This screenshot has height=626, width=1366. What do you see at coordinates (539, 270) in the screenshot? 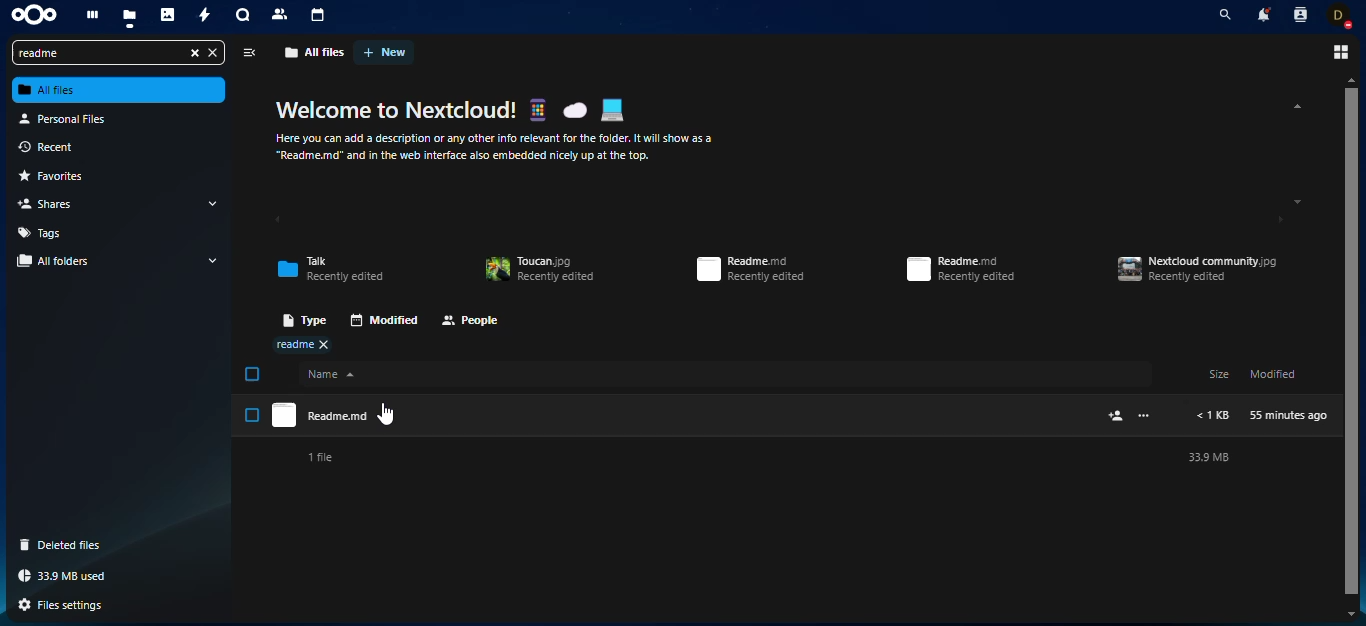
I see `Toucan.jpg Recently edited` at bounding box center [539, 270].